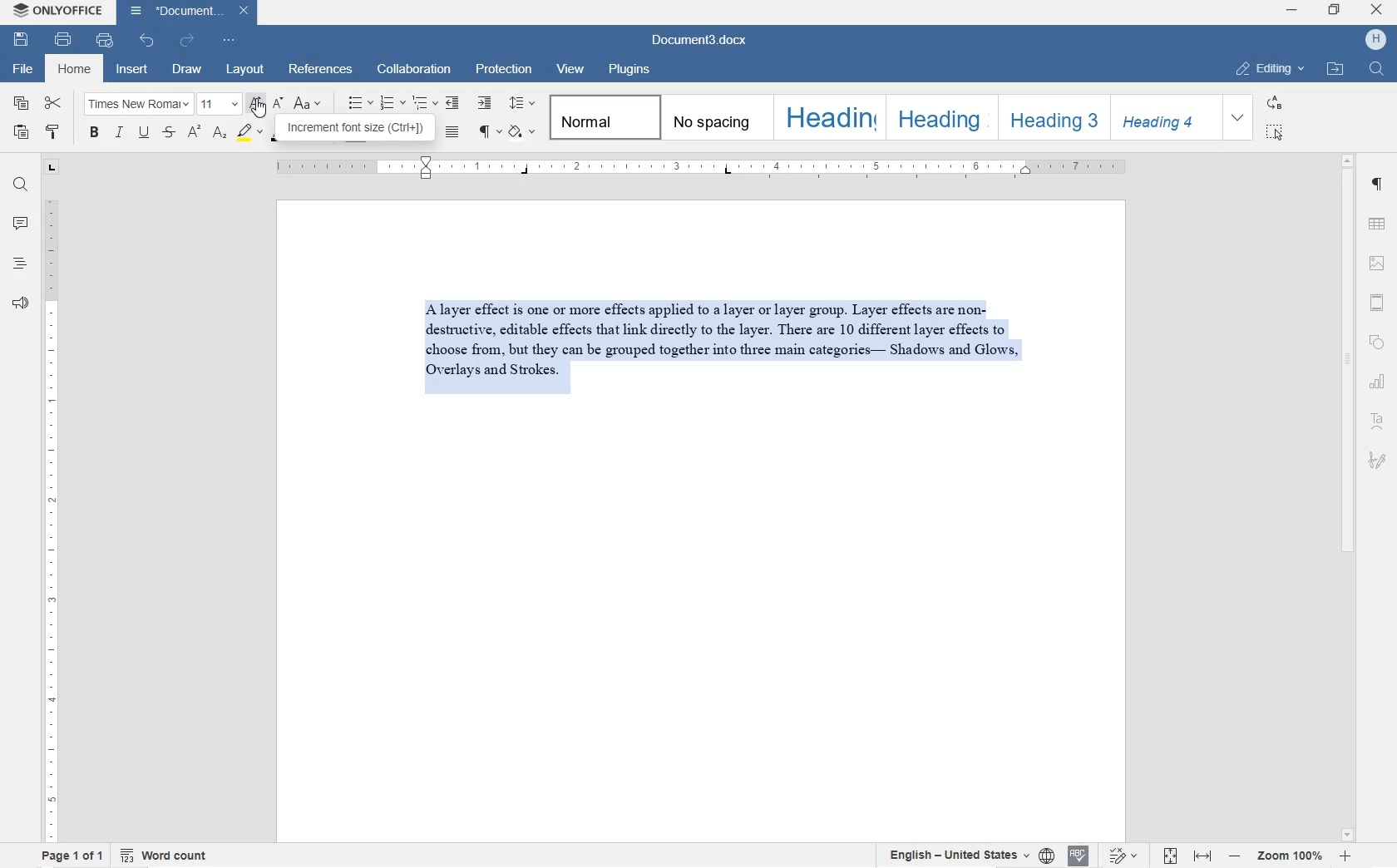  I want to click on CLOSE, so click(1380, 12).